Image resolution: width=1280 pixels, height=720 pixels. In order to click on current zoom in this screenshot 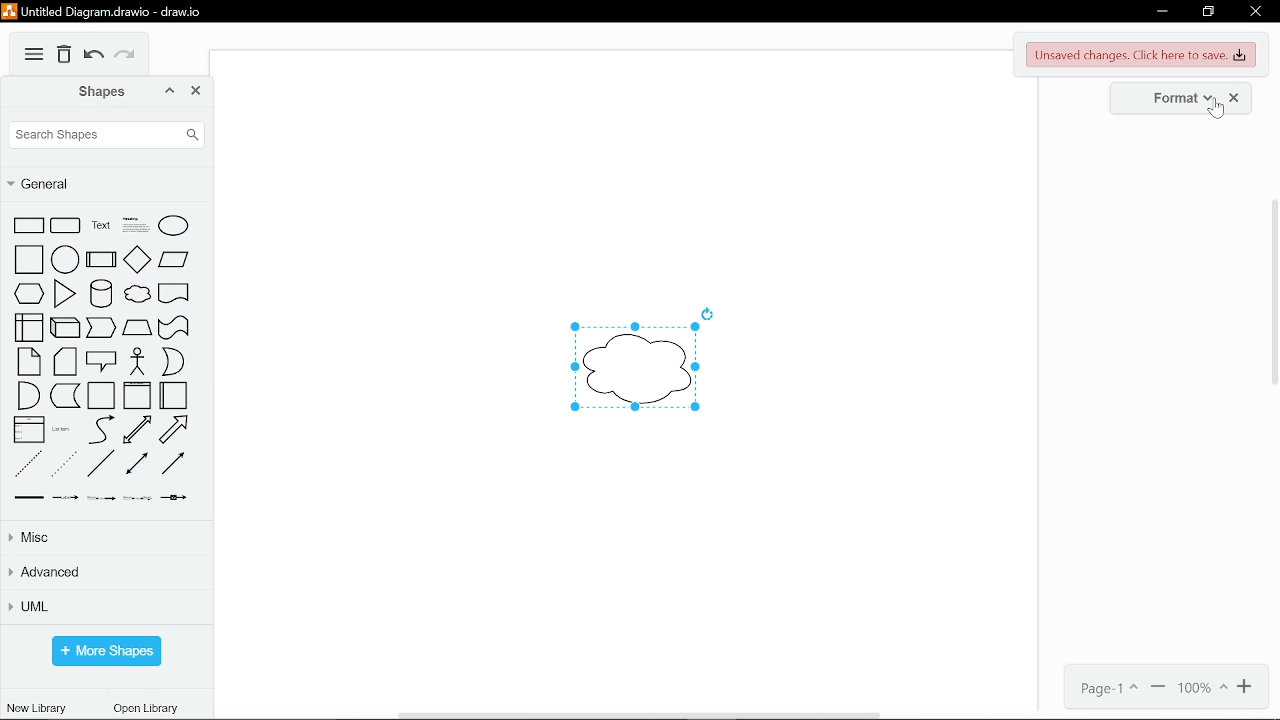, I will do `click(1202, 689)`.